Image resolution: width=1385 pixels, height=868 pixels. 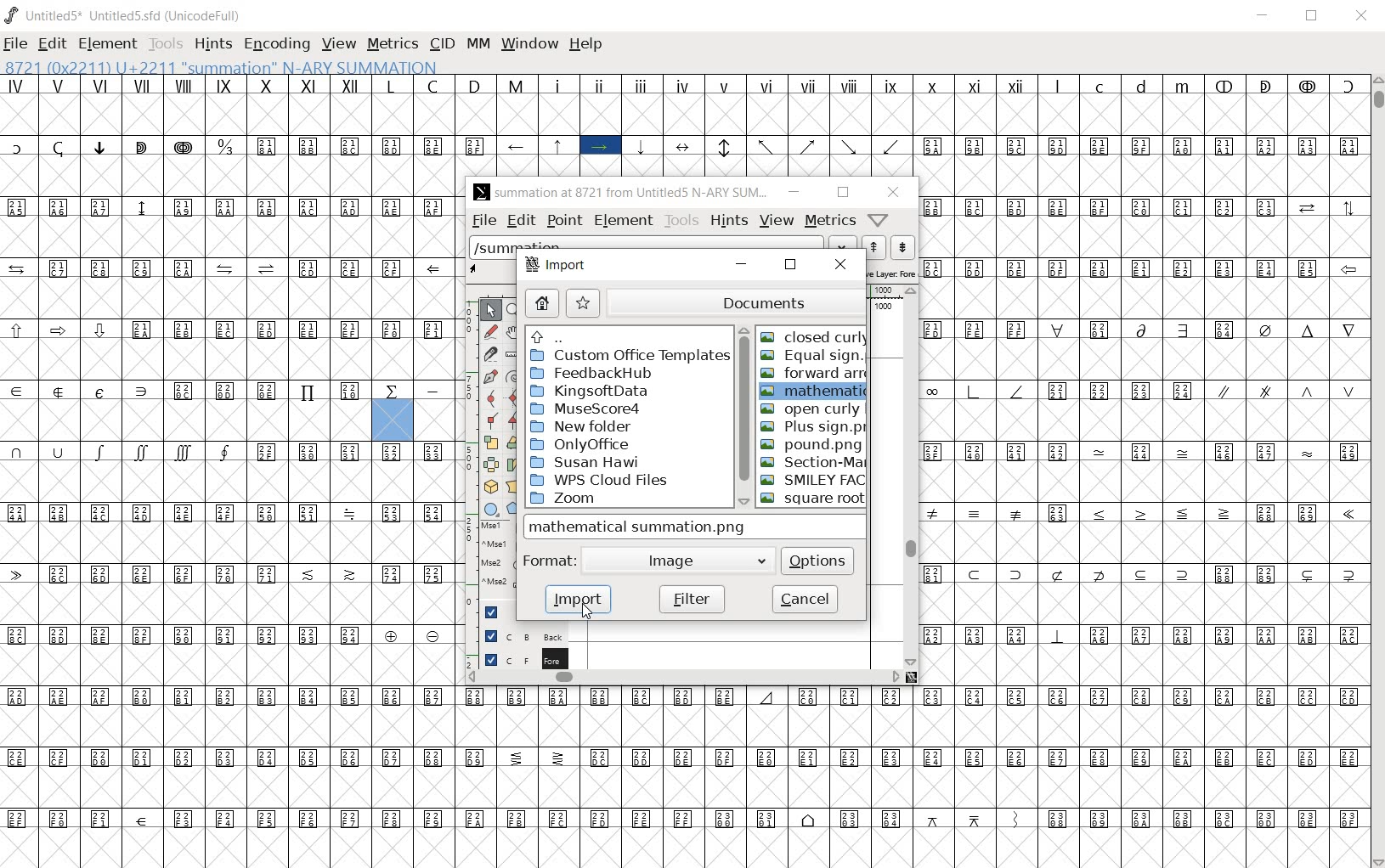 What do you see at coordinates (586, 461) in the screenshot?
I see `Susan Hawi` at bounding box center [586, 461].